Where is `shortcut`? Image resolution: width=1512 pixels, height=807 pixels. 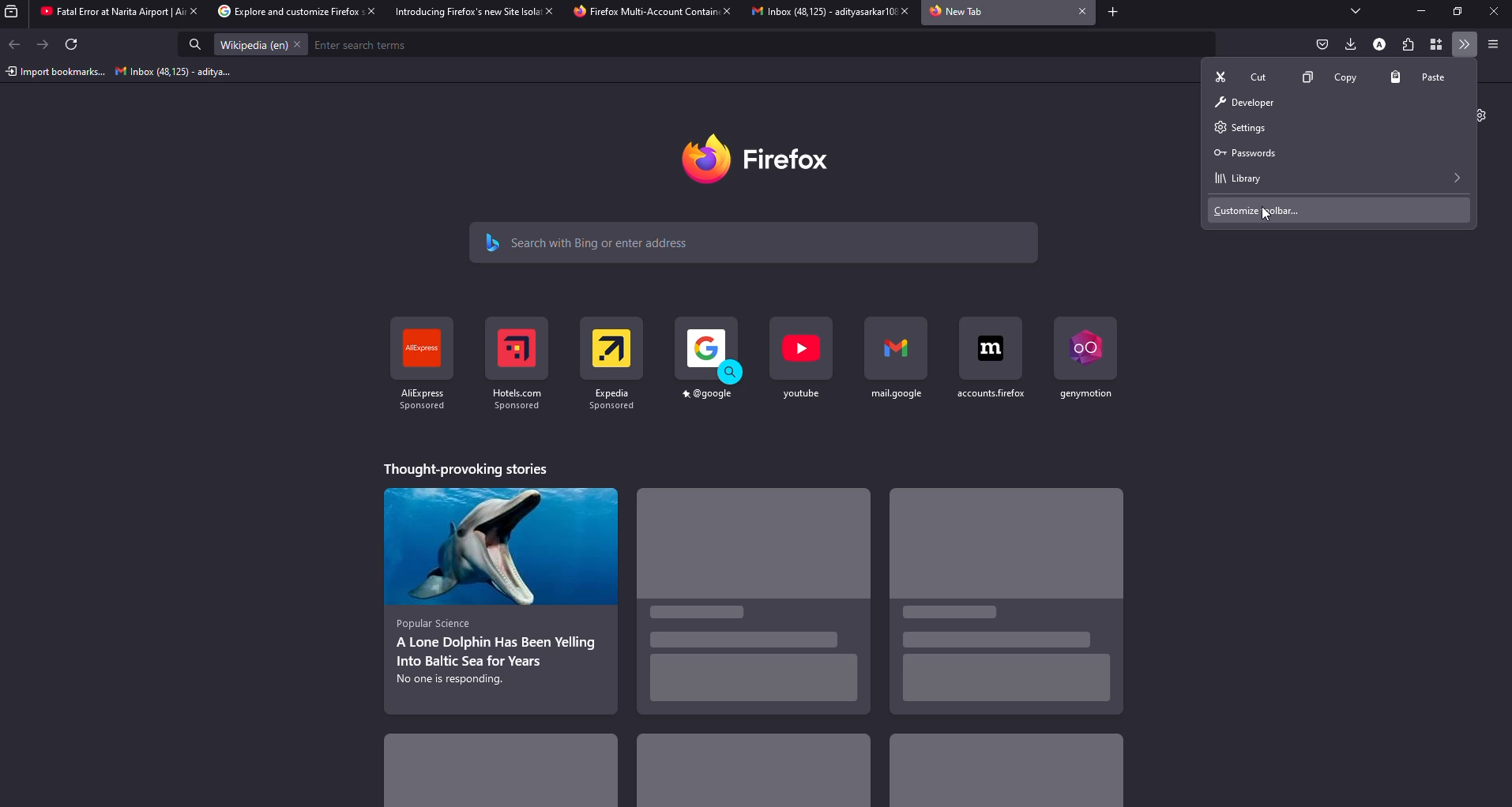 shortcut is located at coordinates (897, 359).